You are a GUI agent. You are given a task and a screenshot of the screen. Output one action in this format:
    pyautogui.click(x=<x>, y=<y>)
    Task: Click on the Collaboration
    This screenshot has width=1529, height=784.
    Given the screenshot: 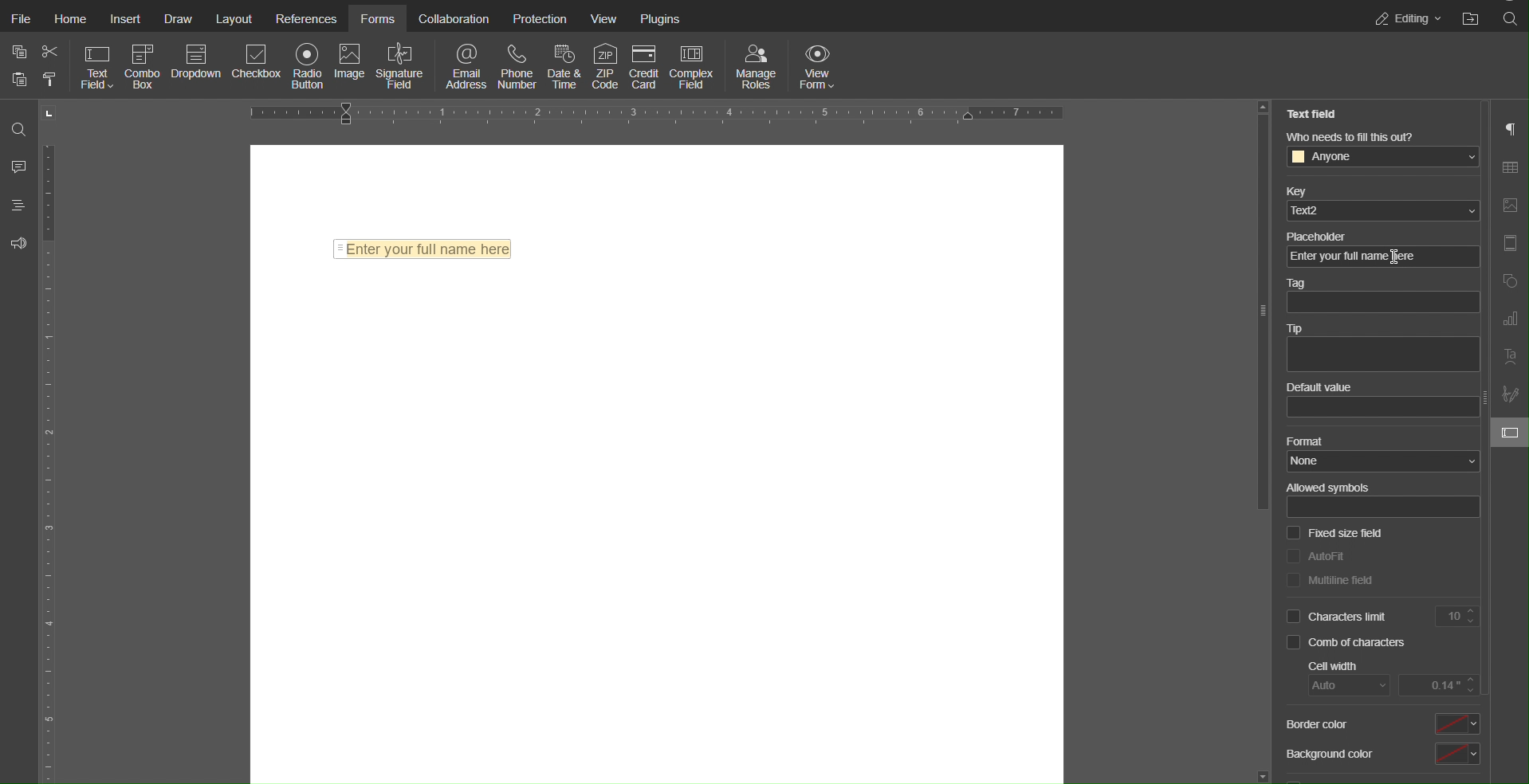 What is the action you would take?
    pyautogui.click(x=454, y=20)
    